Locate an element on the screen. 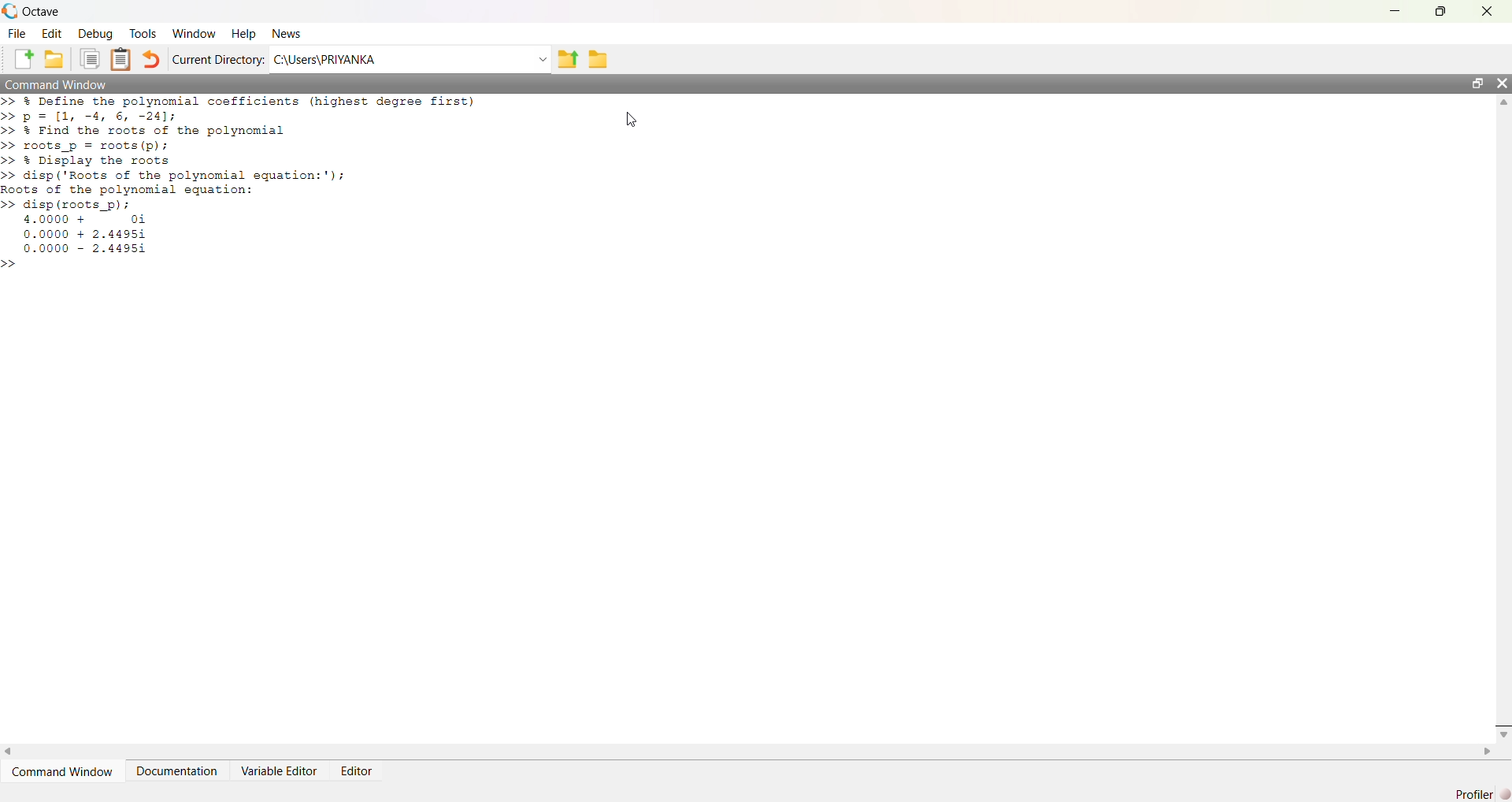  Command Window is located at coordinates (731, 83).